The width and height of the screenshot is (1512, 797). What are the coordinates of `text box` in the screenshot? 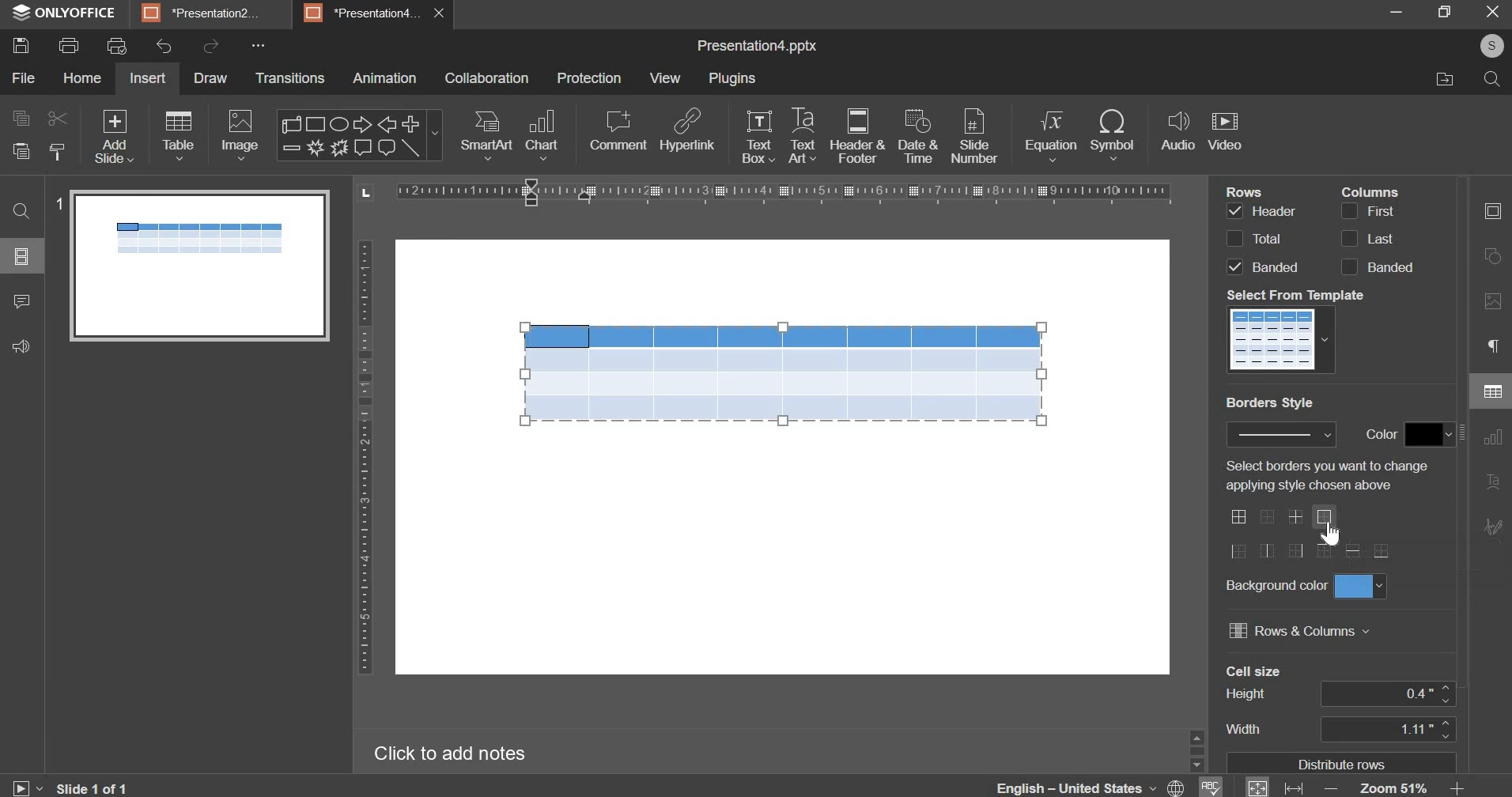 It's located at (759, 138).